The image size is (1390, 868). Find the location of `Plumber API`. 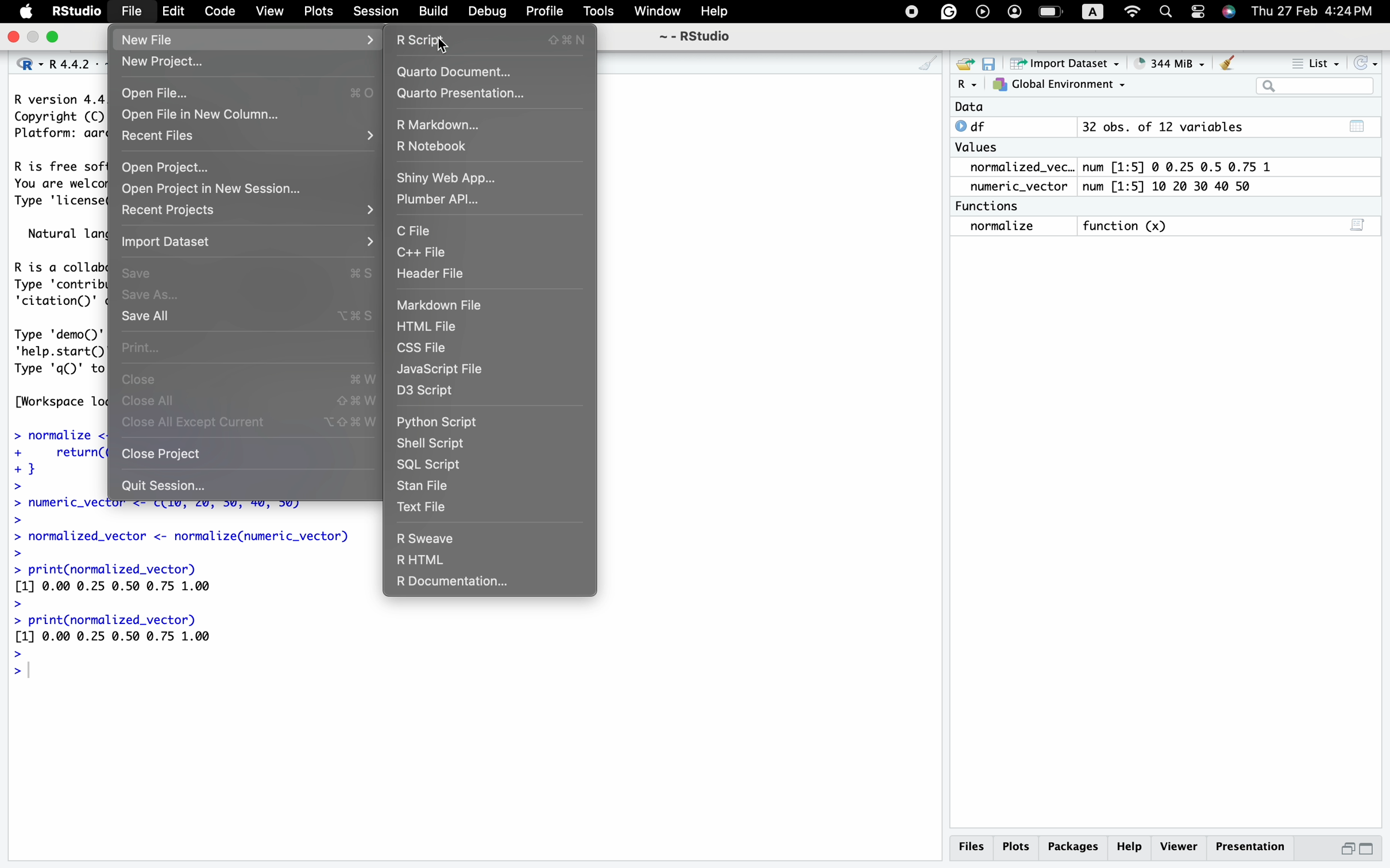

Plumber API is located at coordinates (436, 201).